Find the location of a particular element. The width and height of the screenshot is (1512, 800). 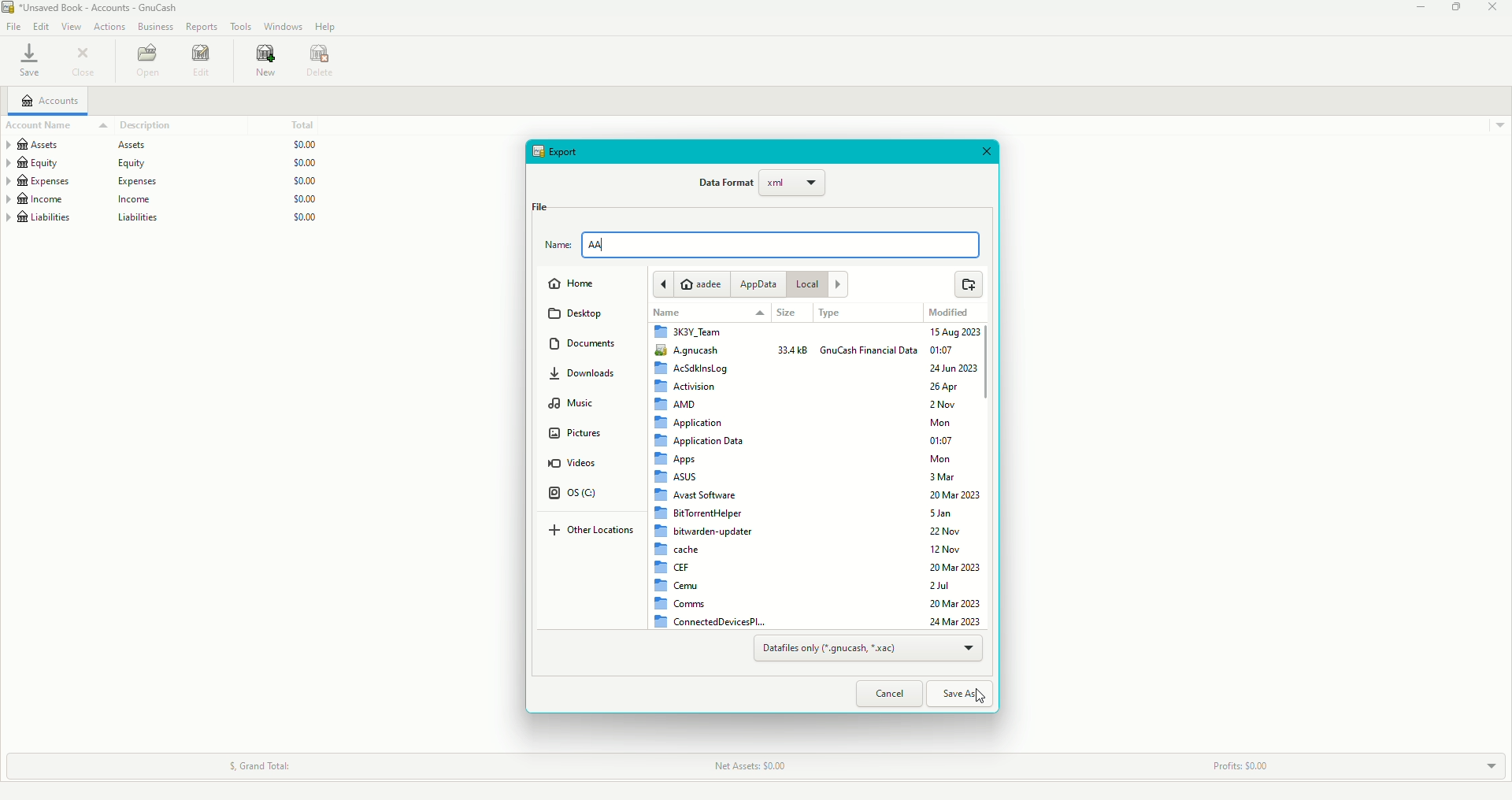

Income is located at coordinates (166, 199).